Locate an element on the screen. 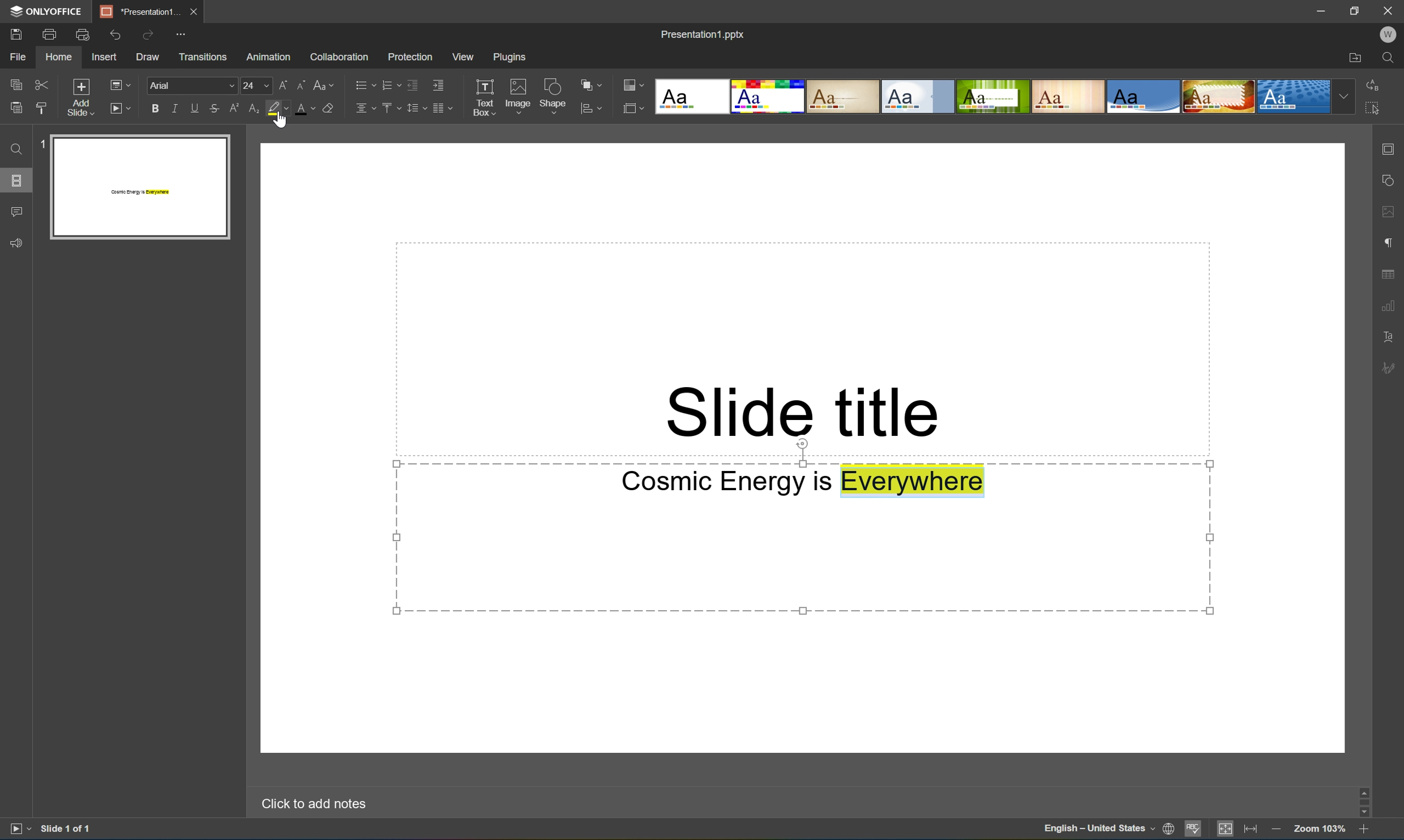  Insert is located at coordinates (105, 57).